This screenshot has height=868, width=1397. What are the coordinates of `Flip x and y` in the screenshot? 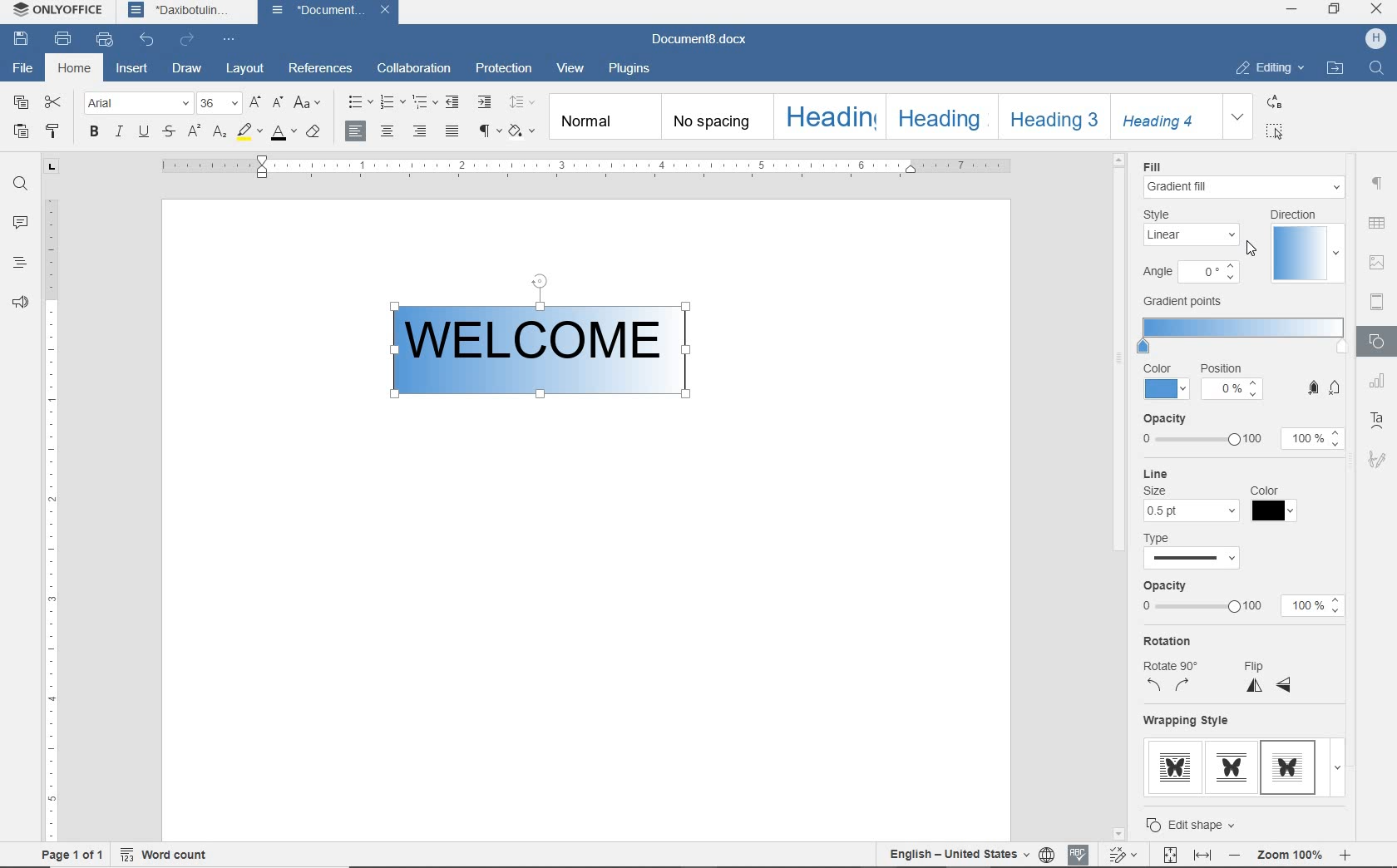 It's located at (1273, 688).